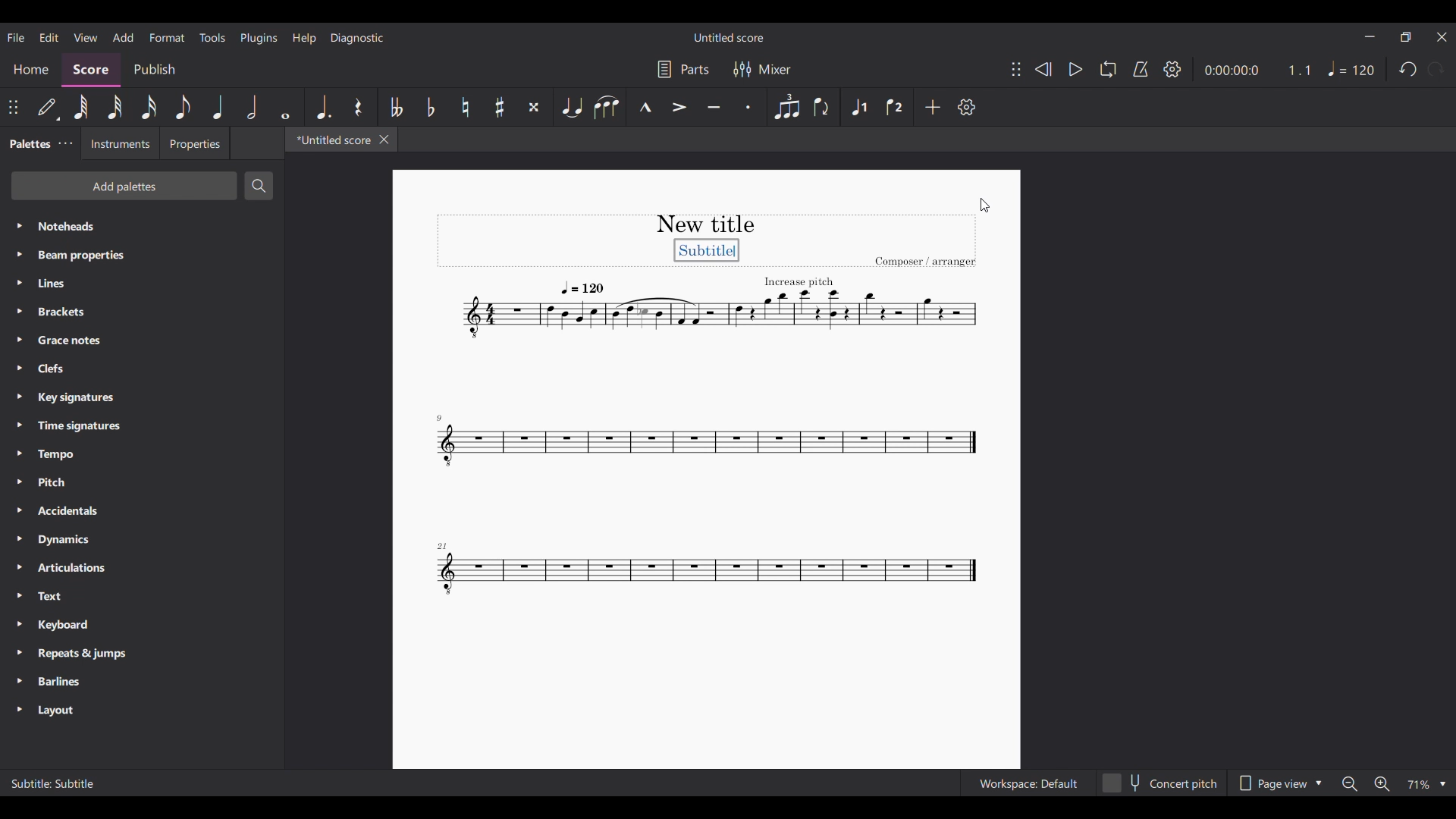  Describe the element at coordinates (465, 107) in the screenshot. I see `Toggle natural` at that location.